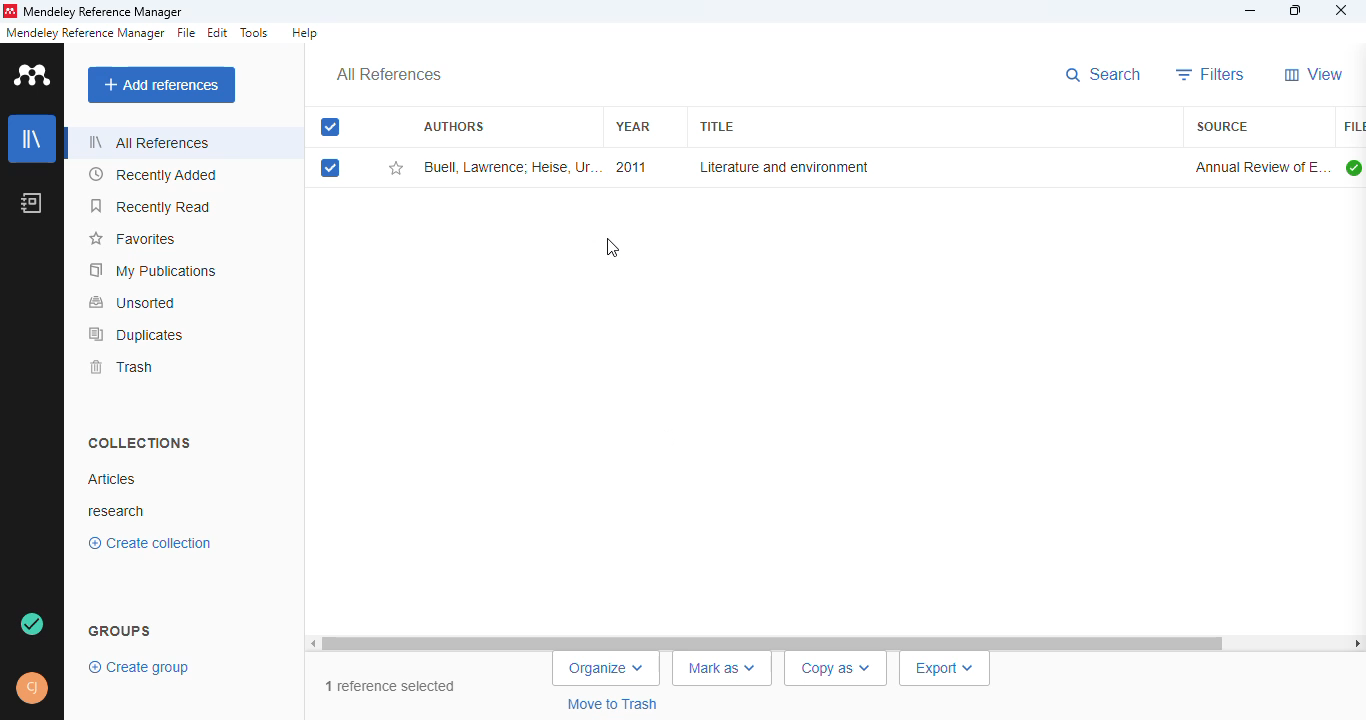 This screenshot has width=1366, height=720. Describe the element at coordinates (32, 625) in the screenshot. I see `article added to "Articles" collection` at that location.